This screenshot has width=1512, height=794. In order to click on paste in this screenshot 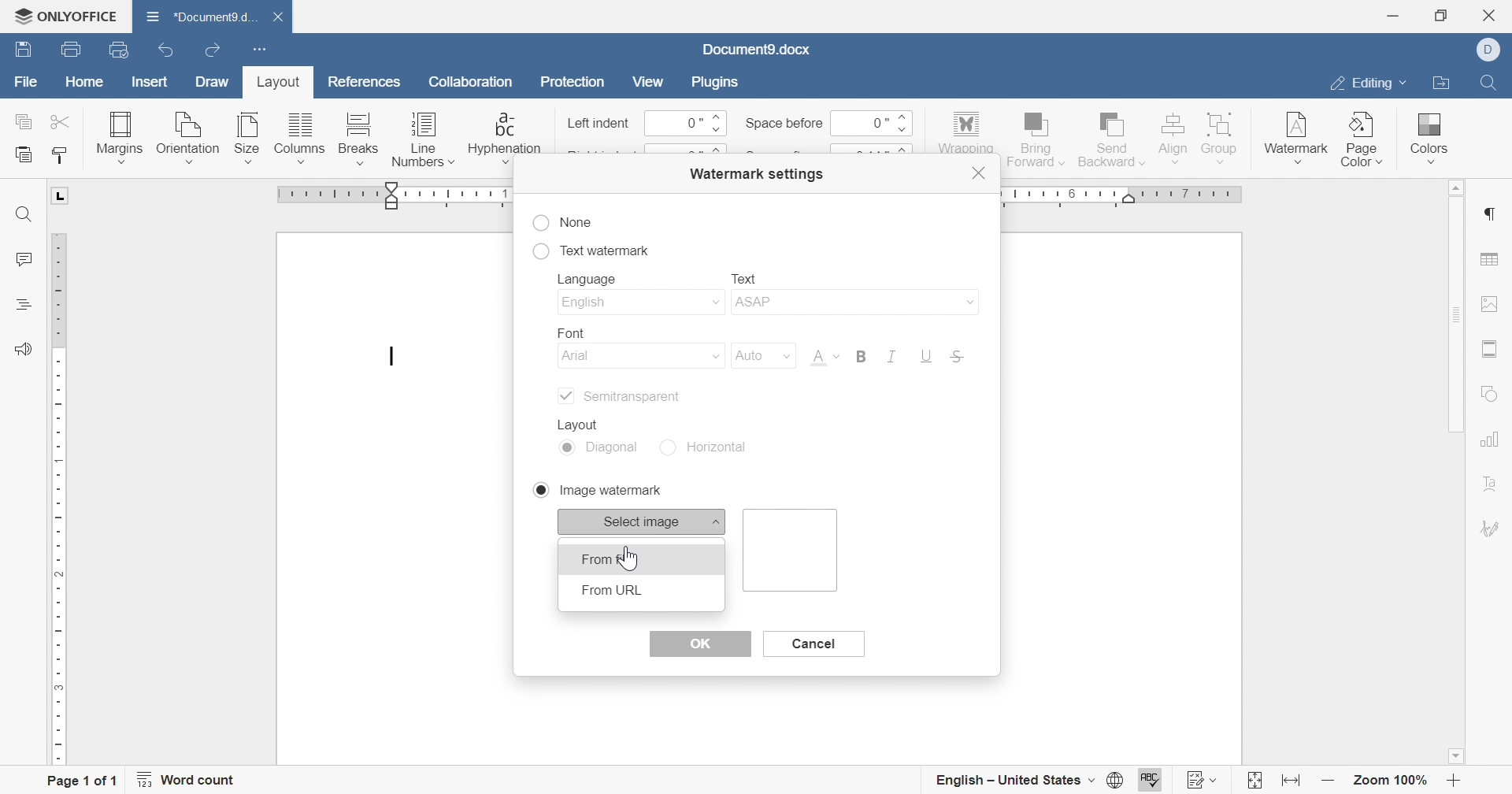, I will do `click(24, 155)`.